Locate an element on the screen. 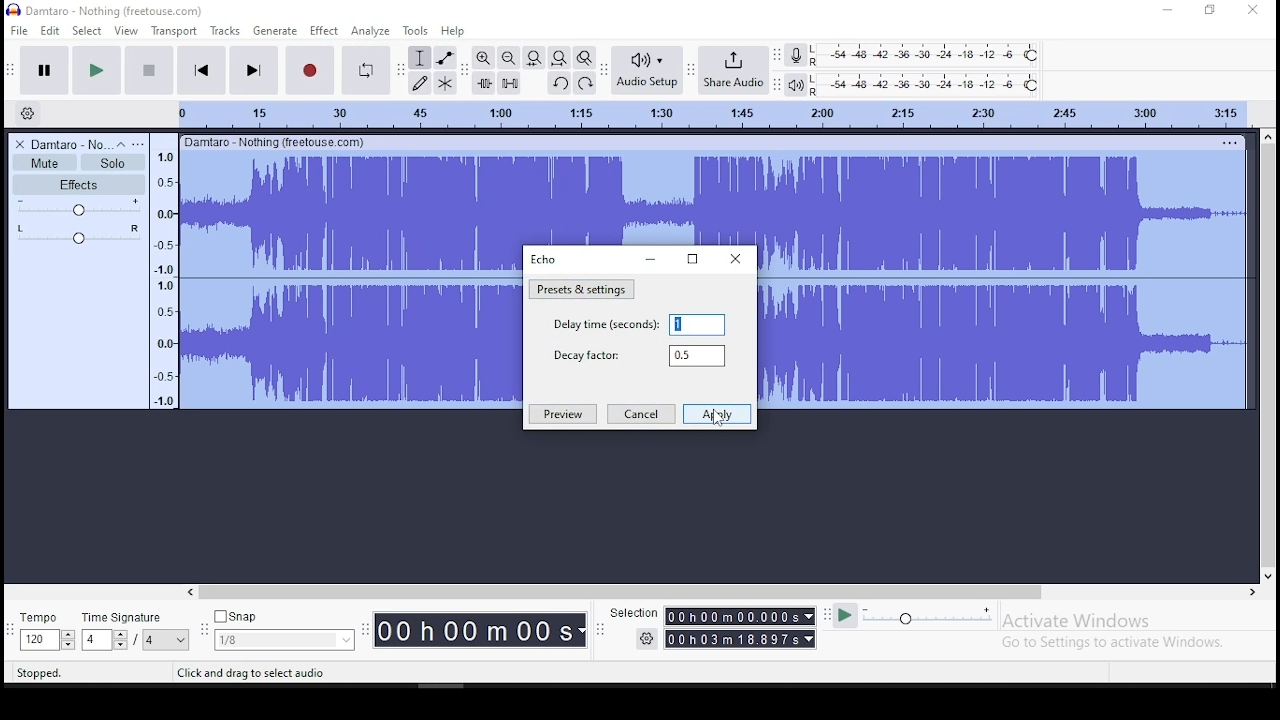 This screenshot has height=720, width=1280. minimize is located at coordinates (650, 259).